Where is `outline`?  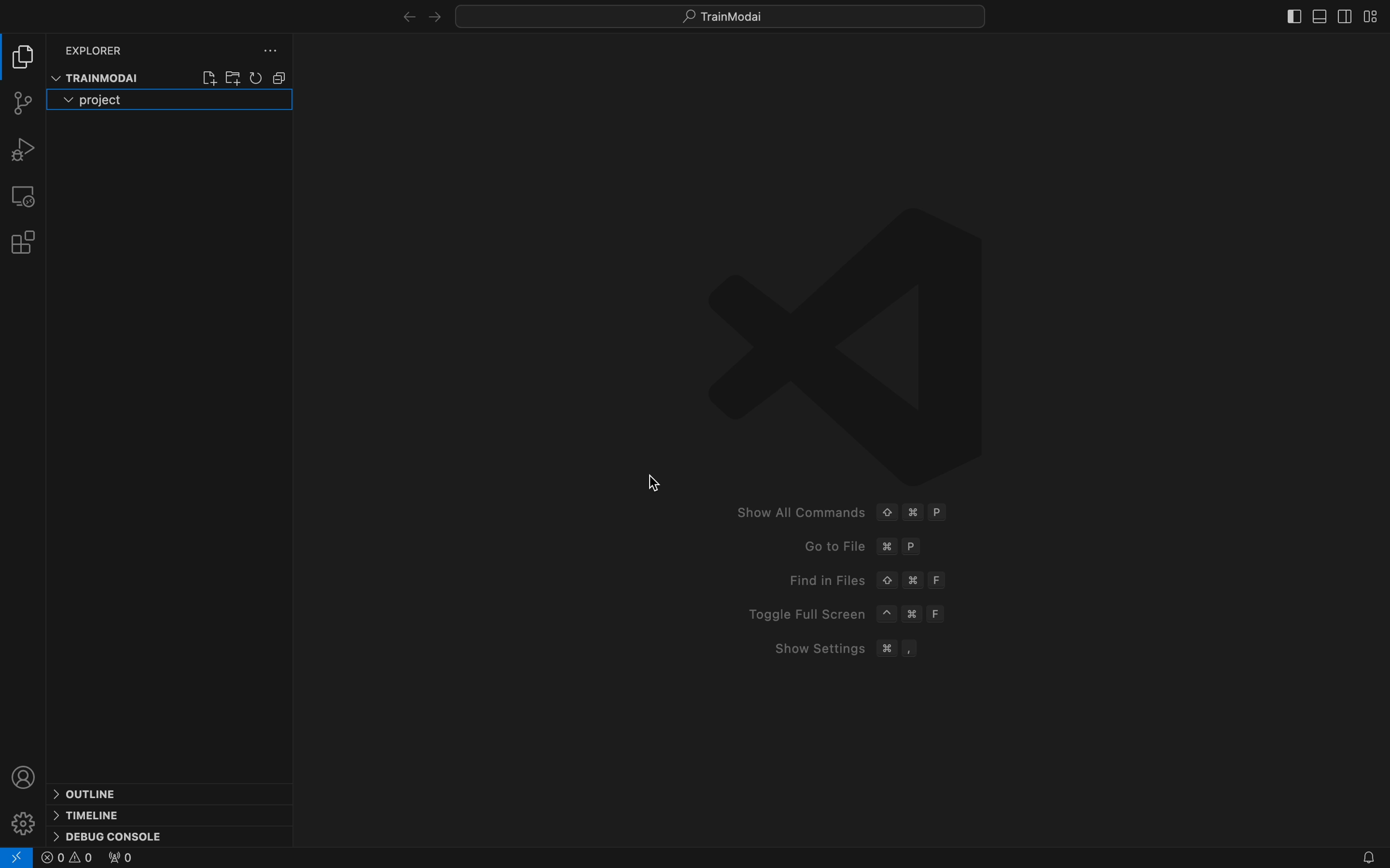 outline is located at coordinates (95, 793).